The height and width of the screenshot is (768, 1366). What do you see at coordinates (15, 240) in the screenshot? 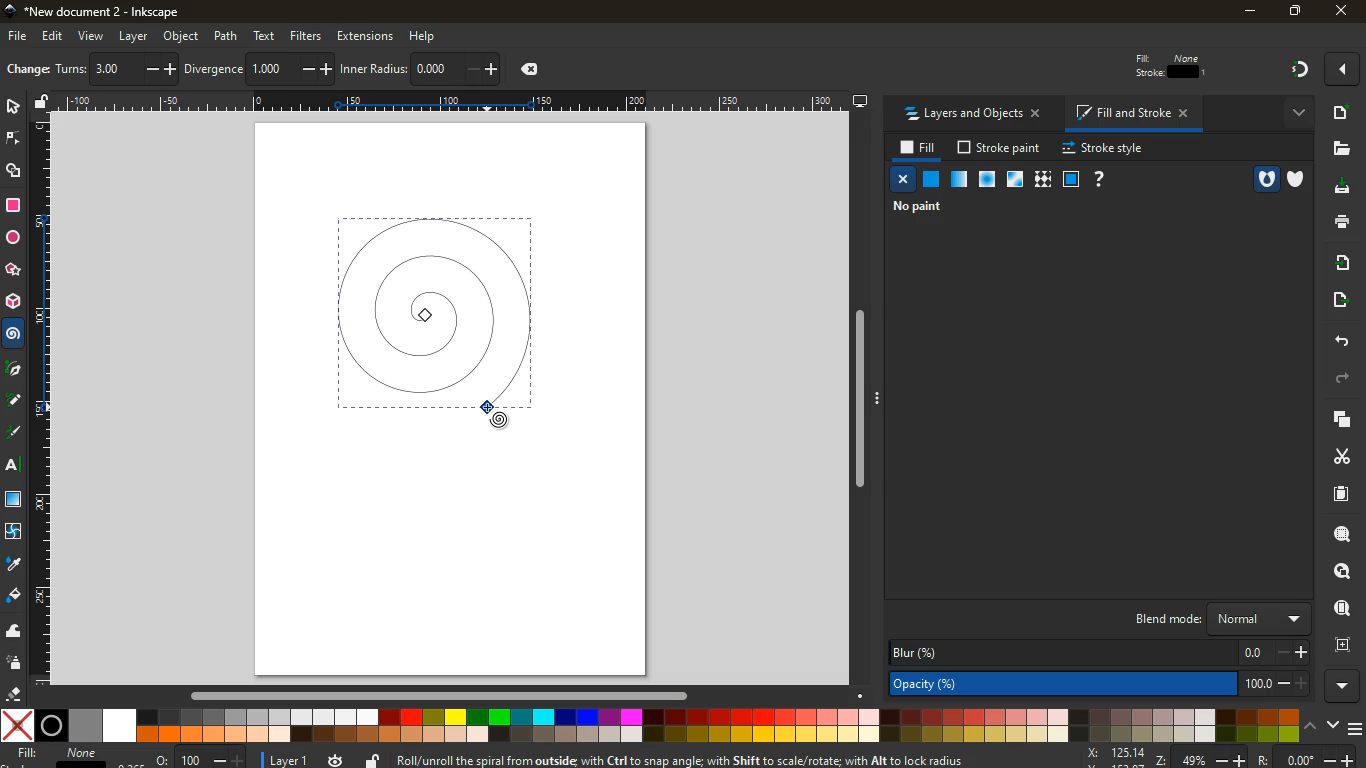
I see `circle` at bounding box center [15, 240].